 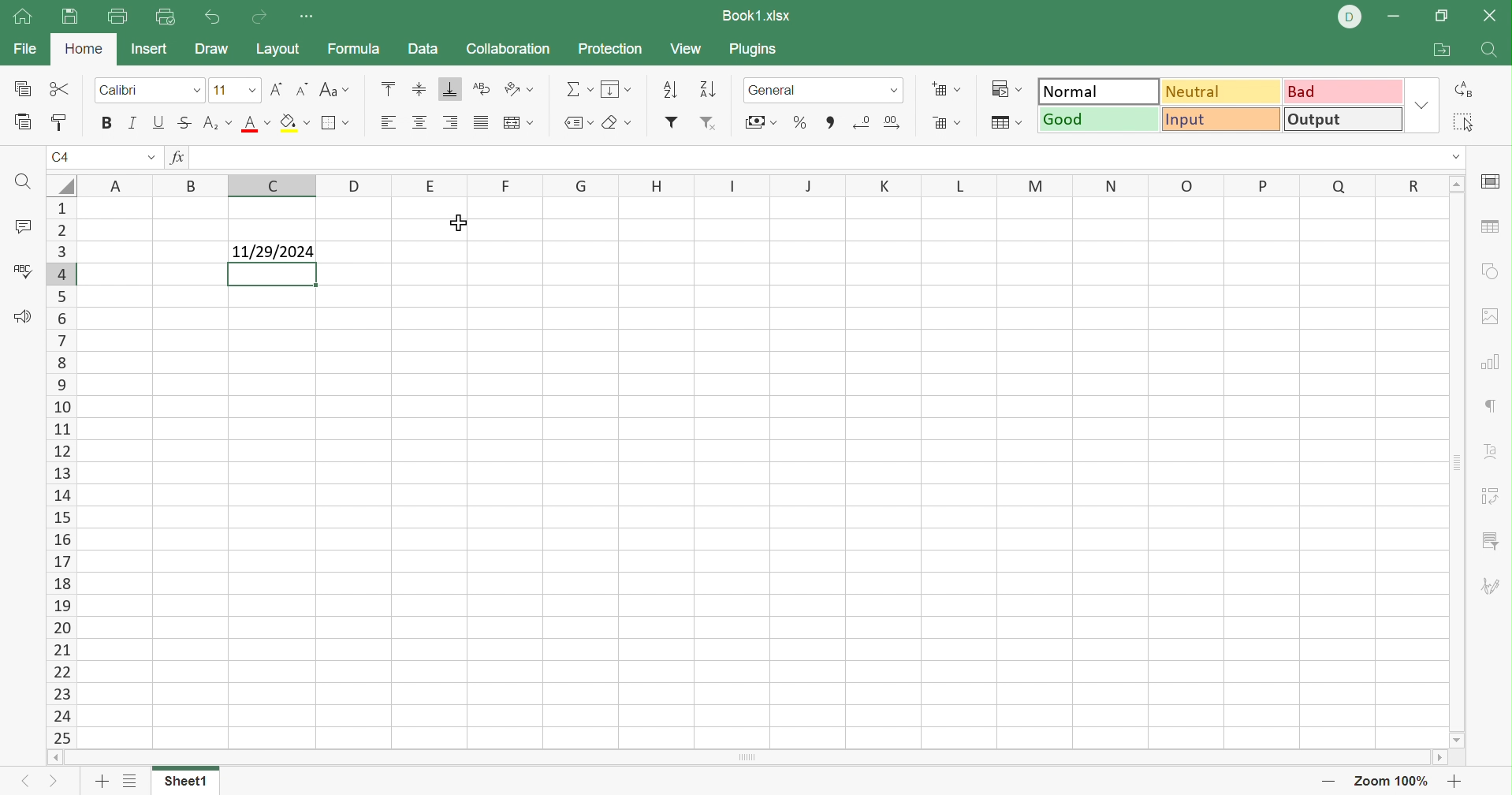 What do you see at coordinates (463, 223) in the screenshot?
I see `Cursor` at bounding box center [463, 223].